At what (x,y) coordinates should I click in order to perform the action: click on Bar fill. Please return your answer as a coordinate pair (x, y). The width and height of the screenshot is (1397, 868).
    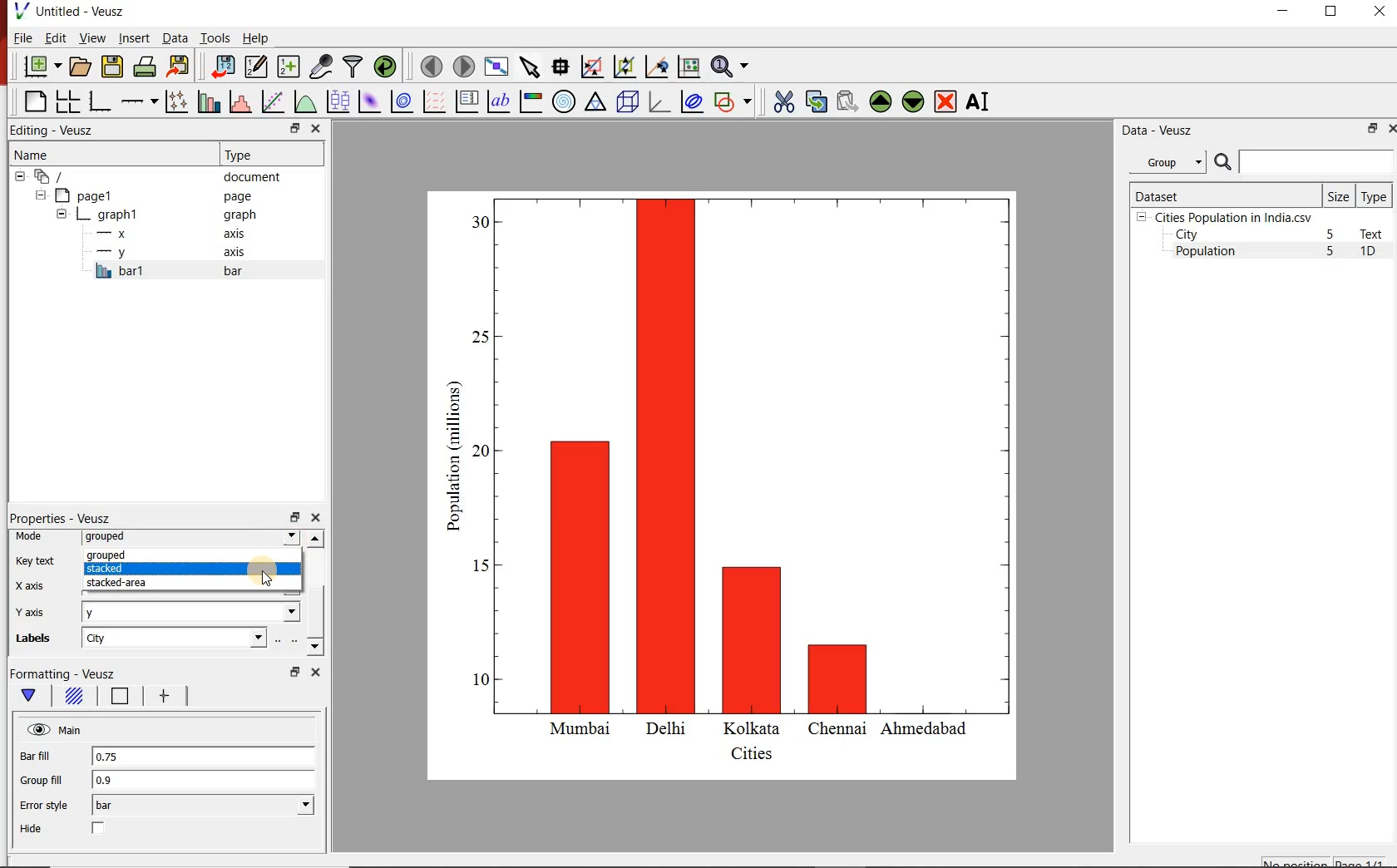
    Looking at the image, I should click on (47, 757).